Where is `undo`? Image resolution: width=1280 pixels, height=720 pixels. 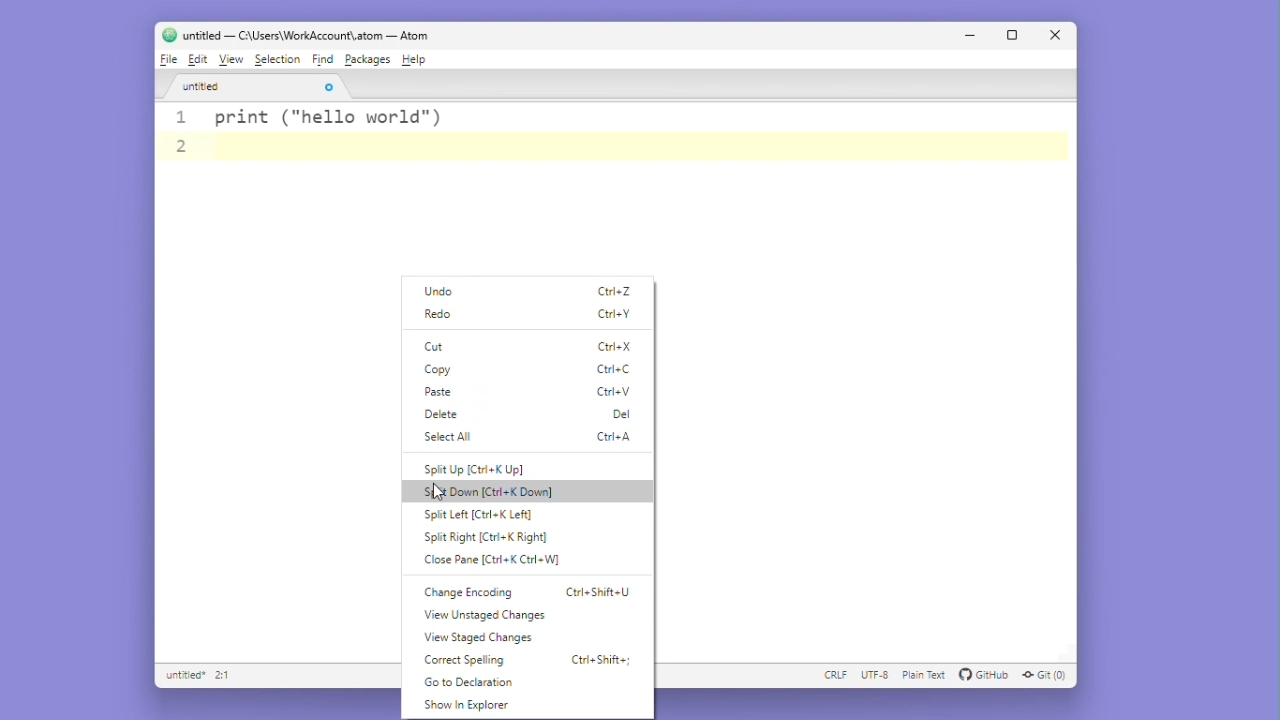
undo is located at coordinates (447, 290).